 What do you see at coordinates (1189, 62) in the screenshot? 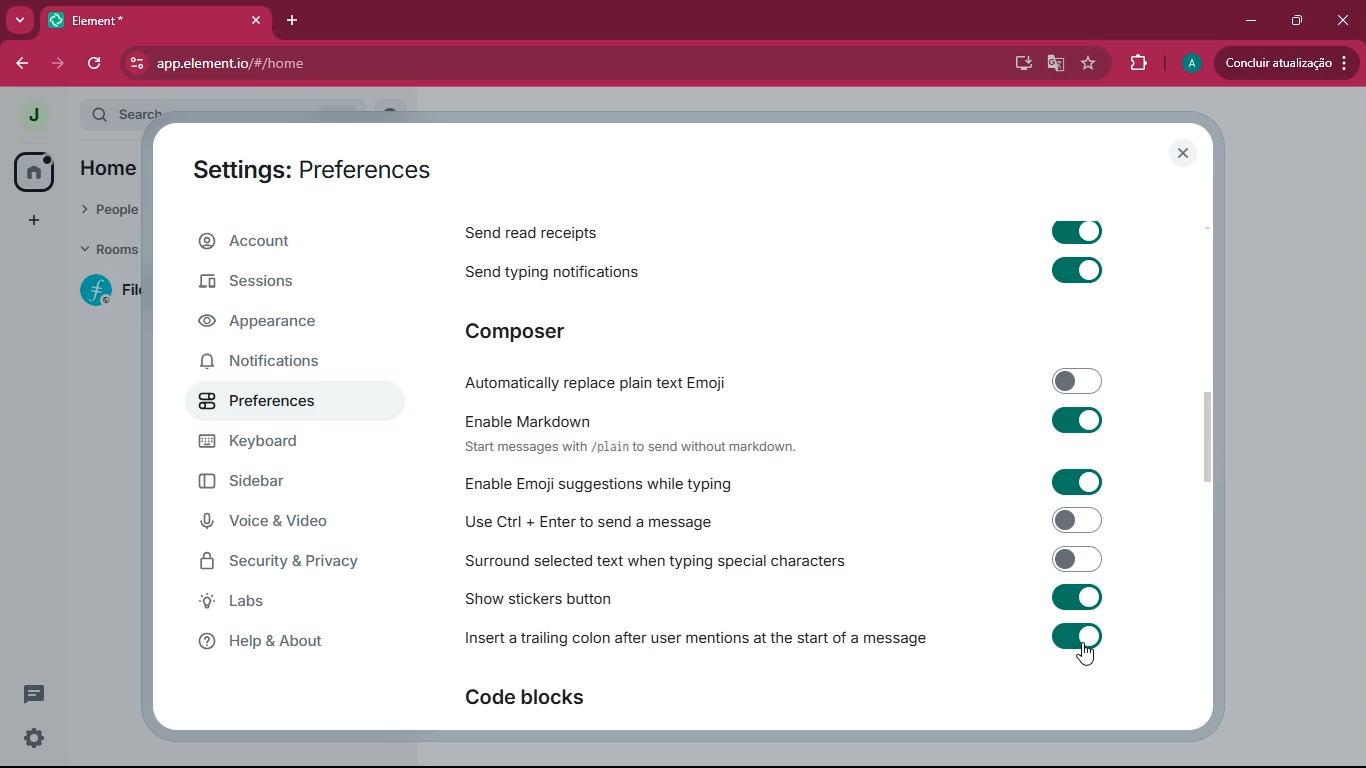
I see `profile` at bounding box center [1189, 62].